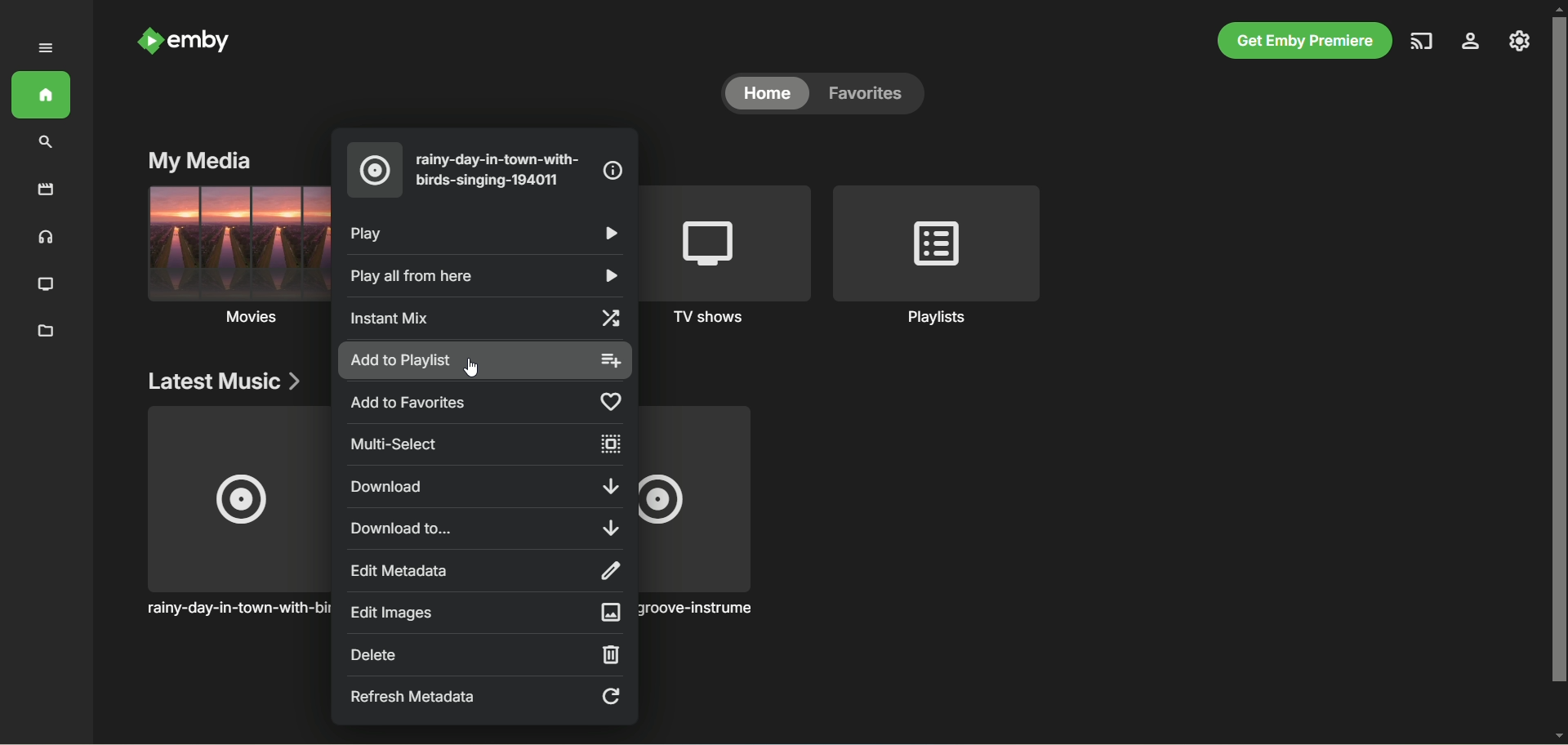 Image resolution: width=1568 pixels, height=745 pixels. I want to click on instant mix, so click(483, 318).